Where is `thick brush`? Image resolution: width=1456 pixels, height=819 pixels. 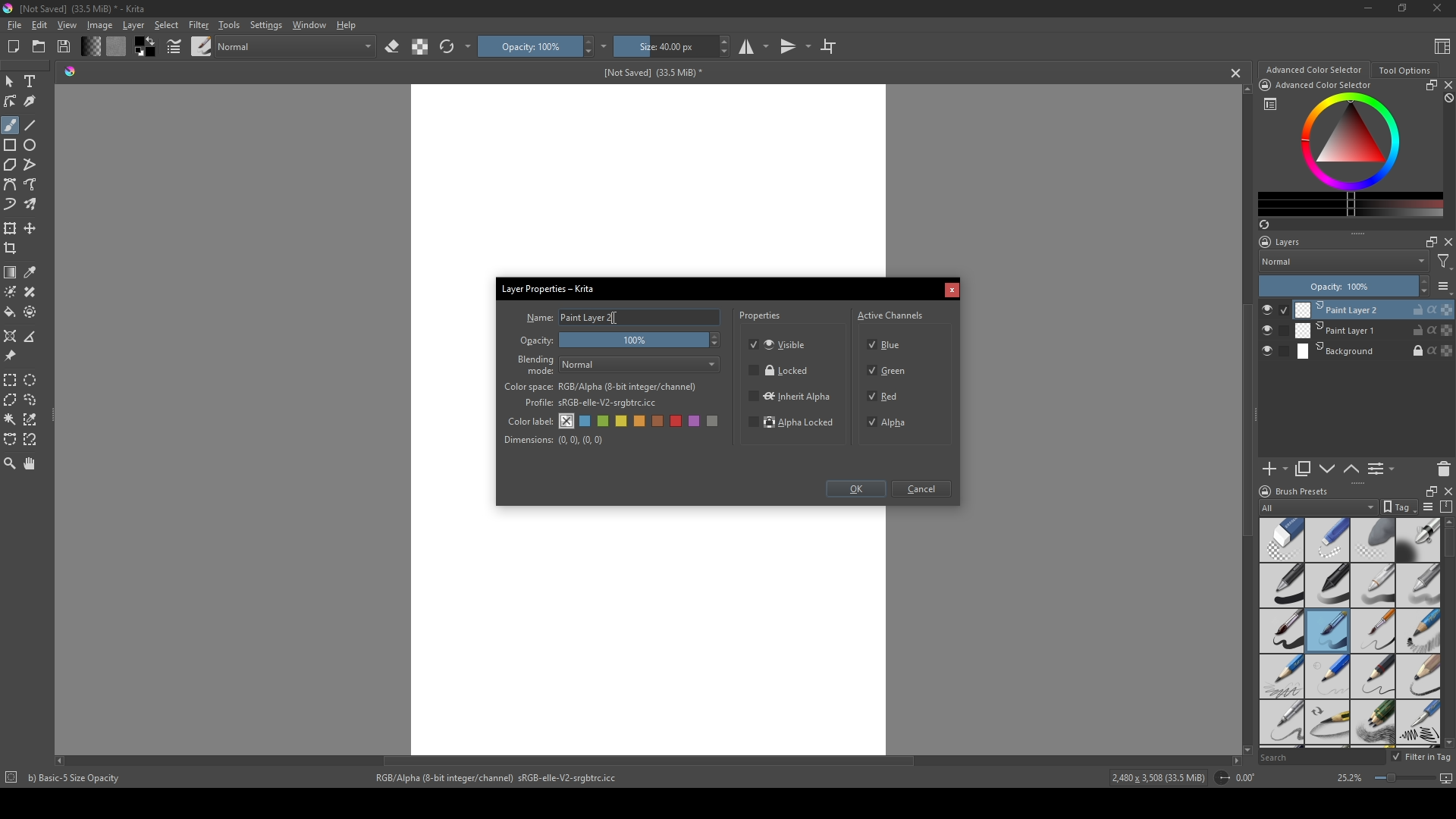
thick brush is located at coordinates (1282, 632).